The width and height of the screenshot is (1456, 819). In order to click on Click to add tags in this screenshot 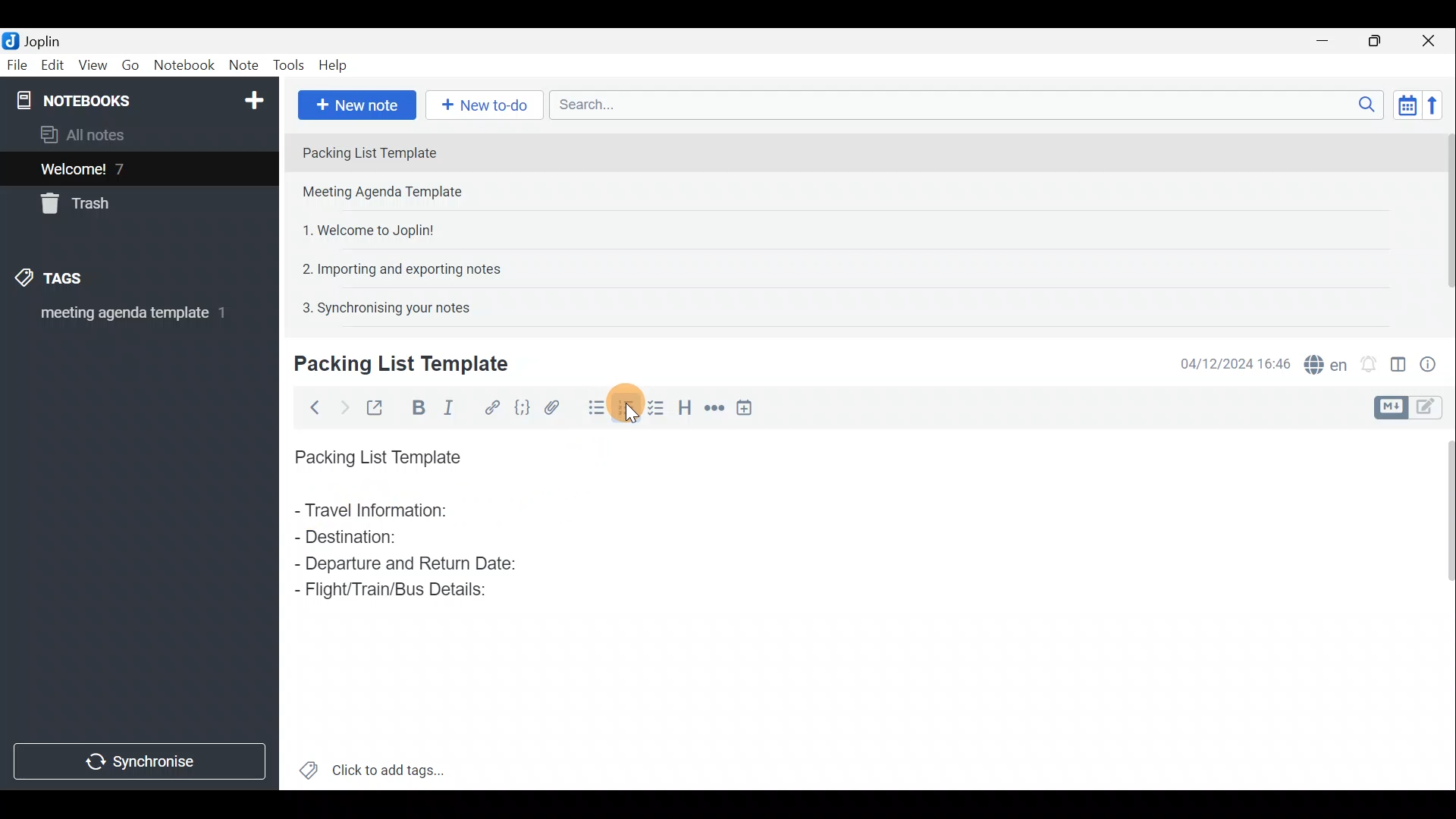, I will do `click(372, 766)`.